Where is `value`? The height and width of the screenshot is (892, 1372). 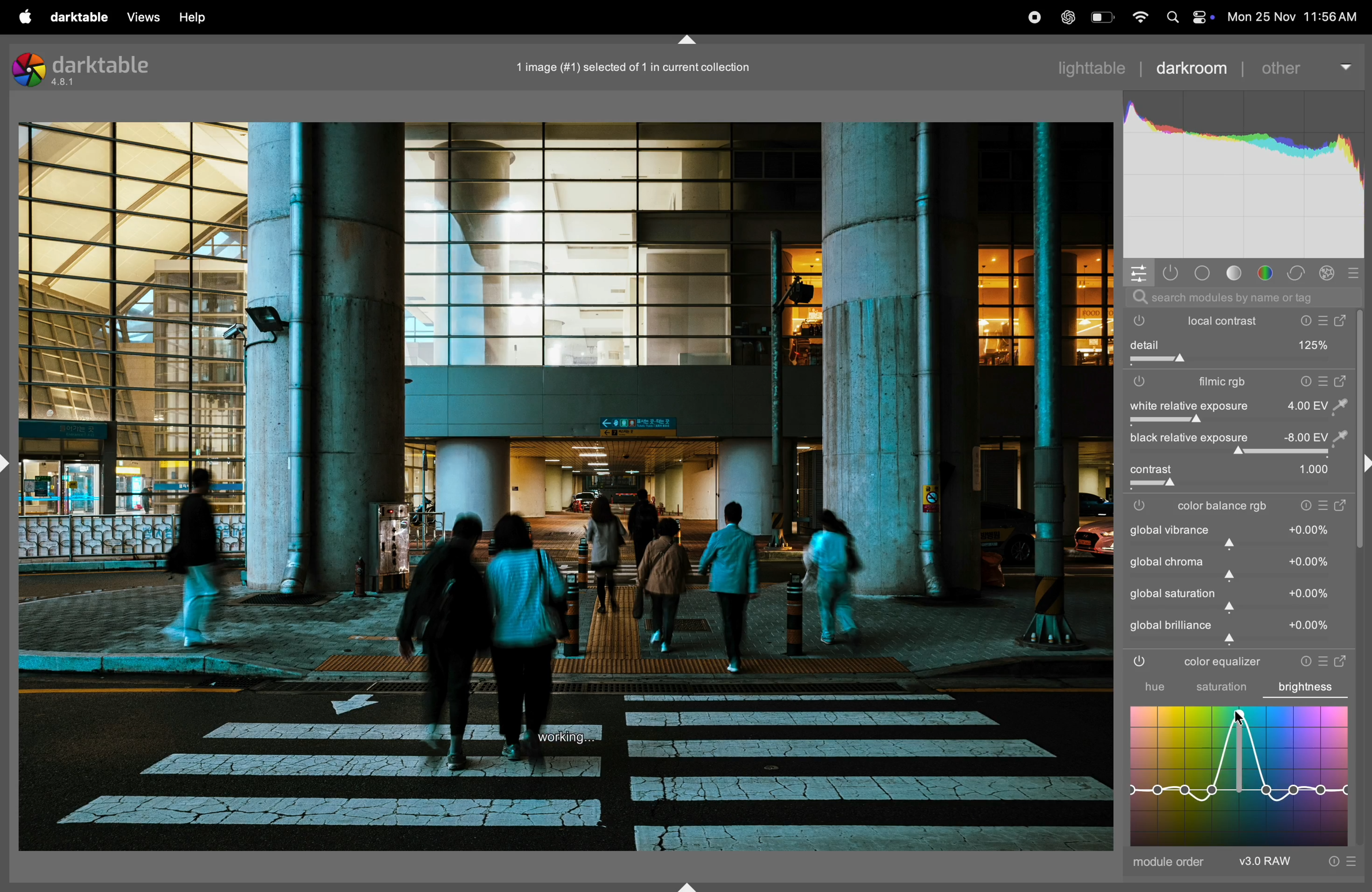
value is located at coordinates (1310, 594).